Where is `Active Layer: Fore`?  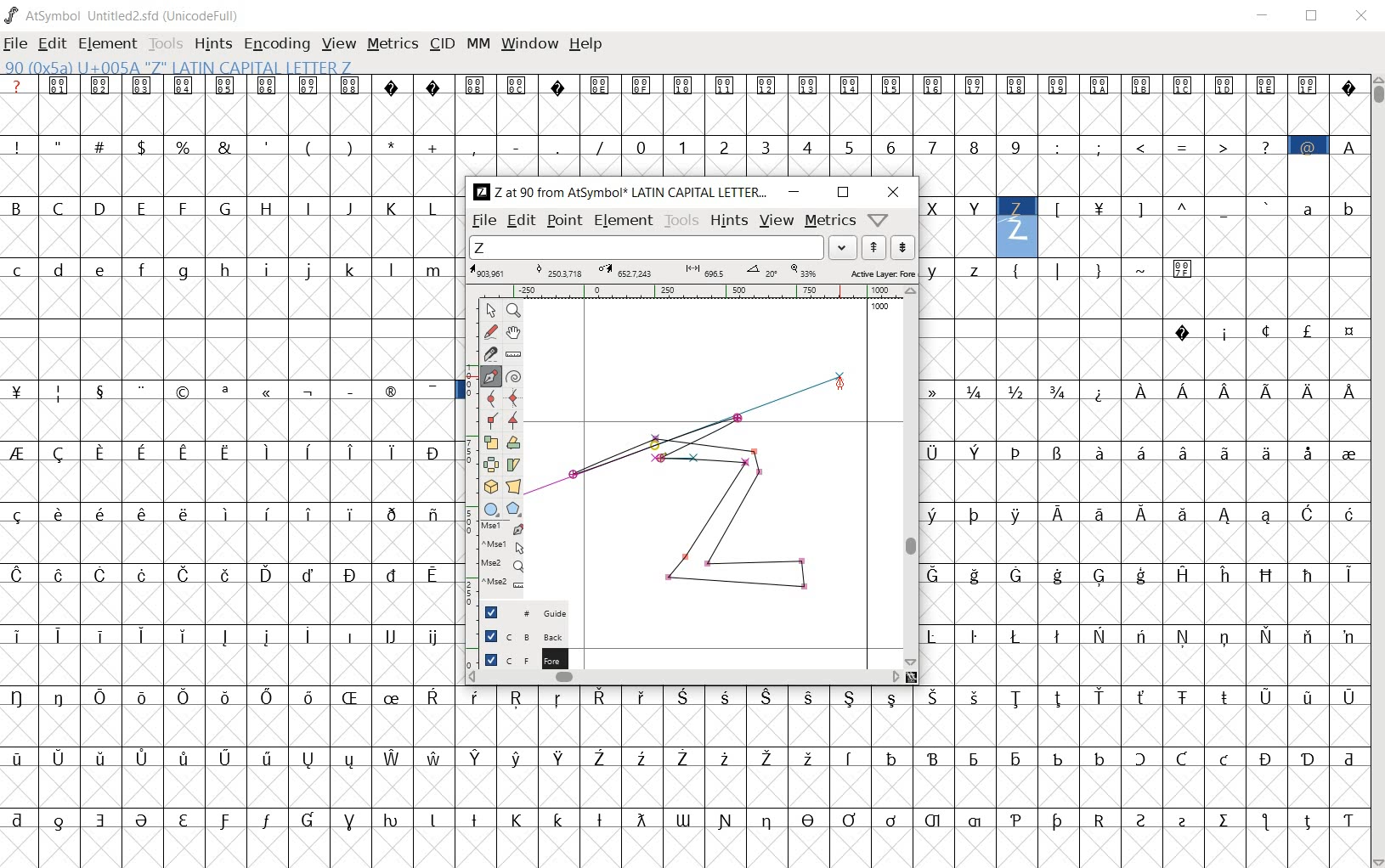
Active Layer: Fore is located at coordinates (692, 272).